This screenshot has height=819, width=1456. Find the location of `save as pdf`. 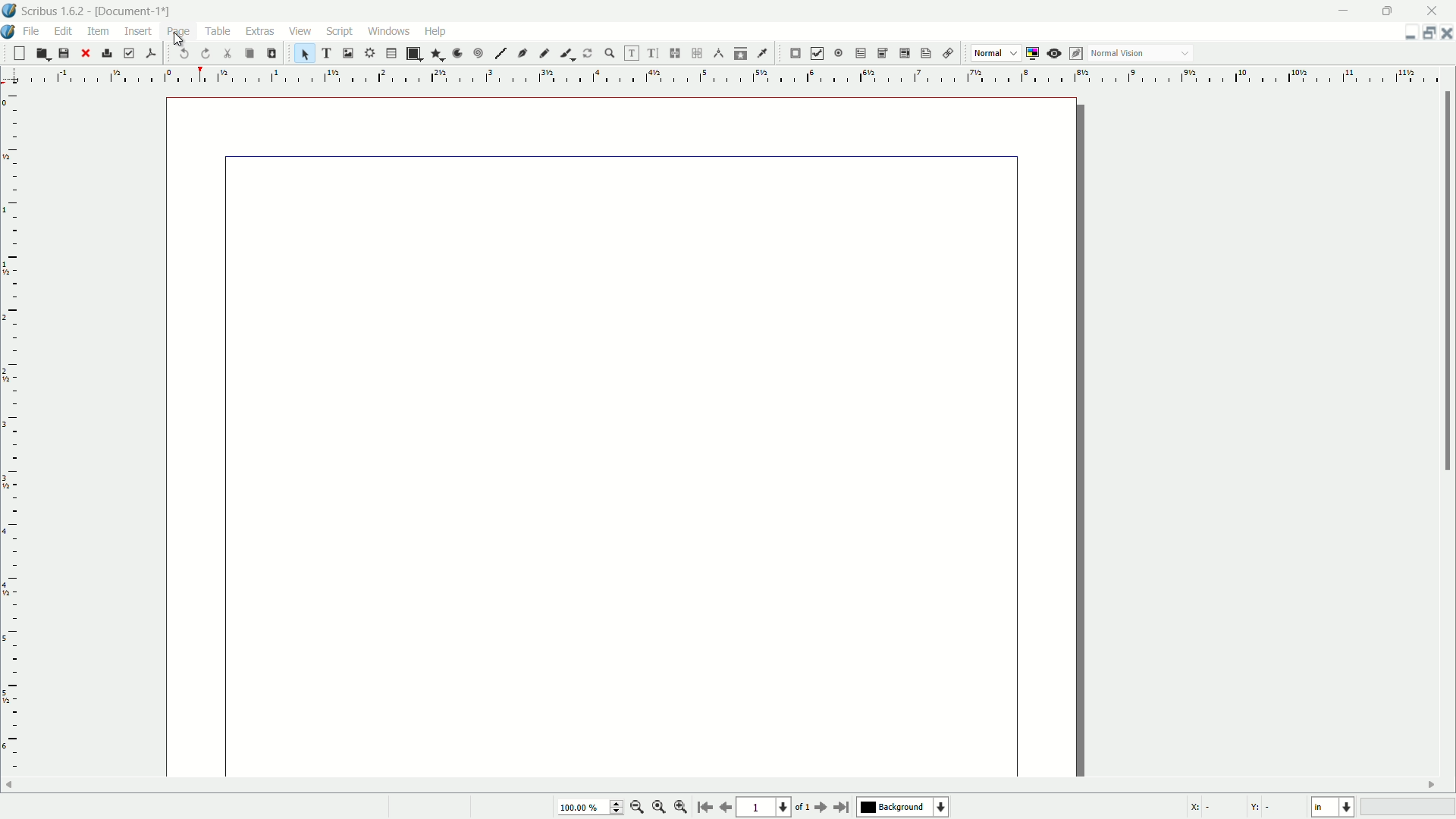

save as pdf is located at coordinates (151, 52).